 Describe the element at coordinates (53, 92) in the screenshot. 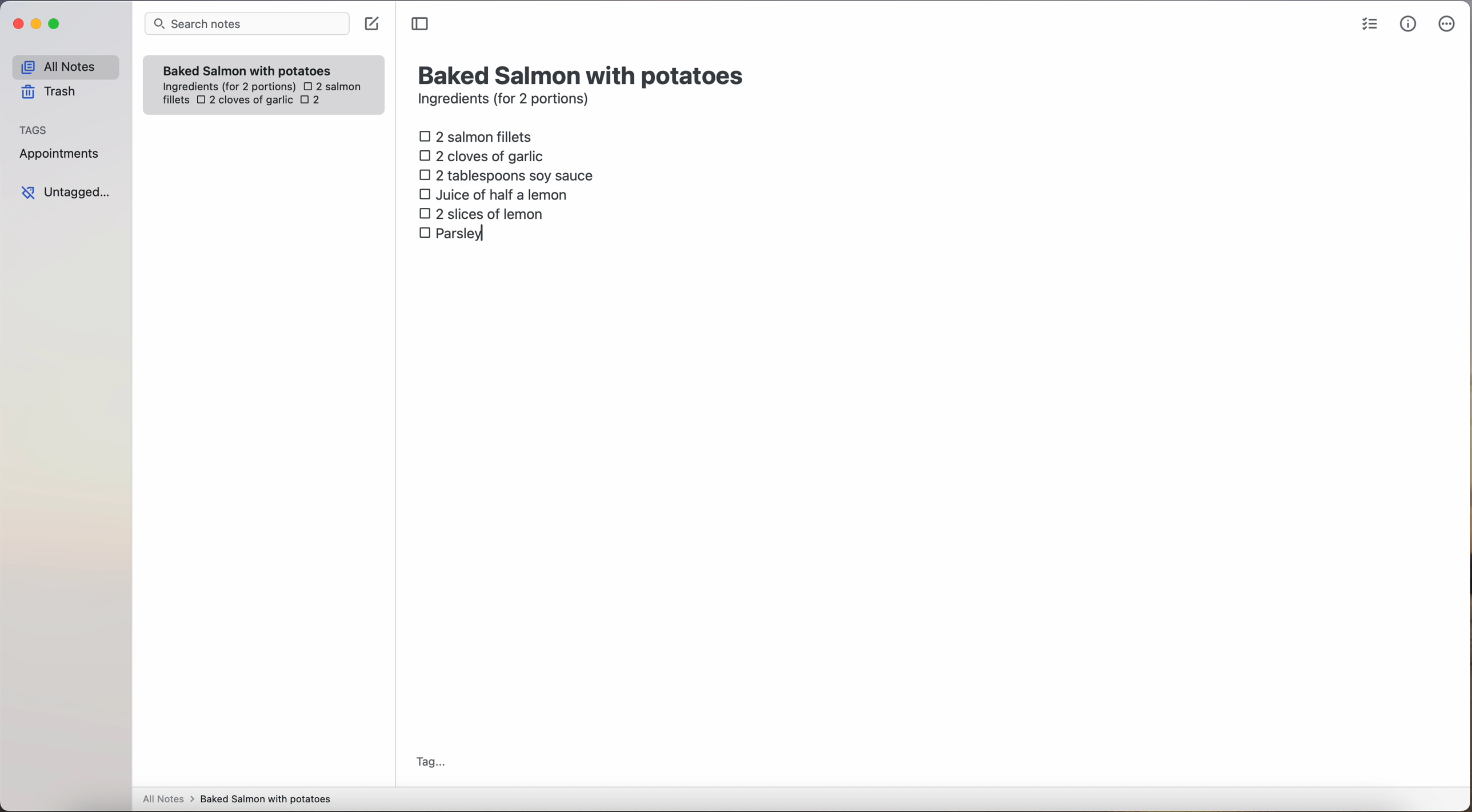

I see `trash` at that location.